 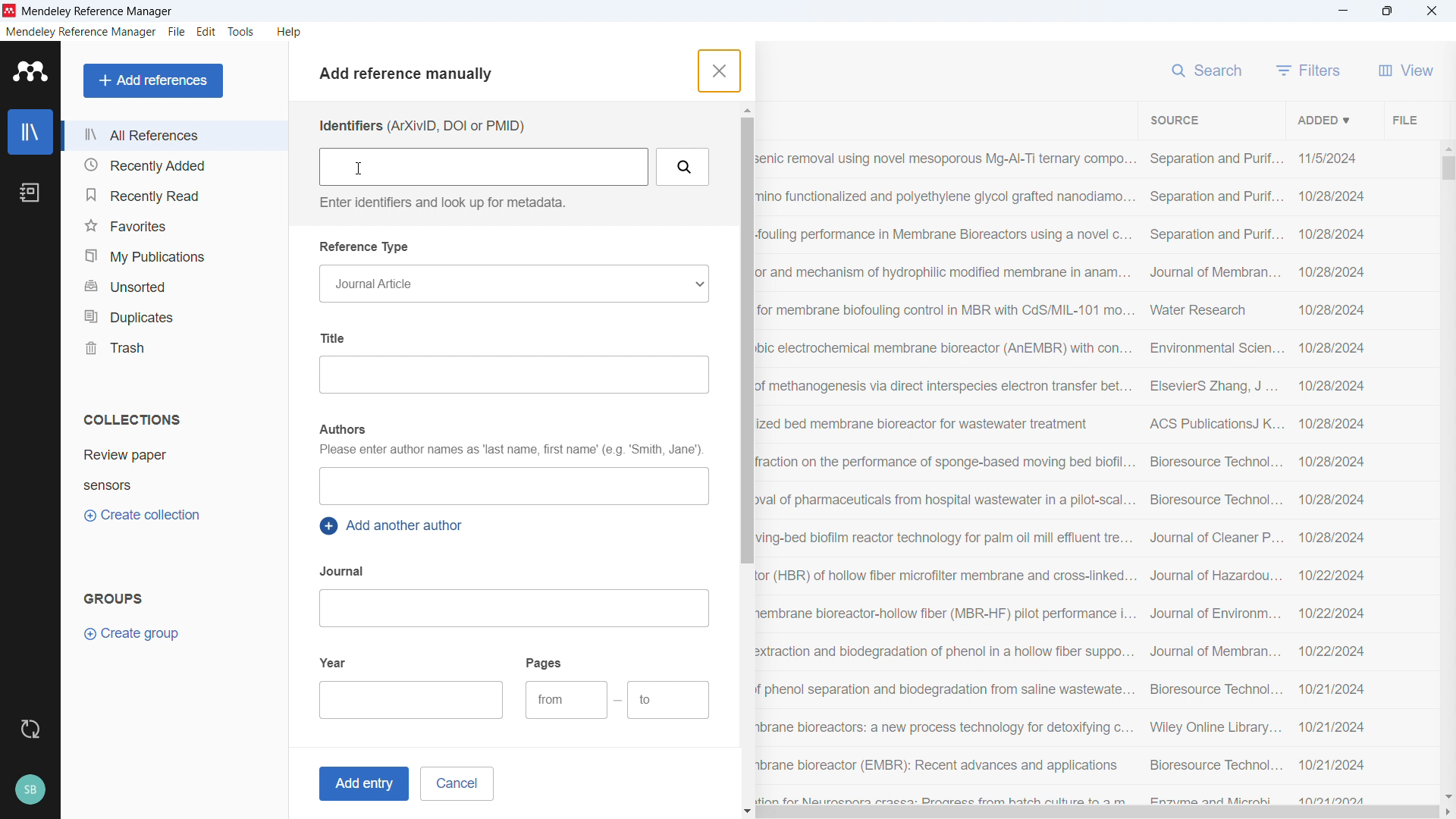 I want to click on Source of individual entries , so click(x=1214, y=475).